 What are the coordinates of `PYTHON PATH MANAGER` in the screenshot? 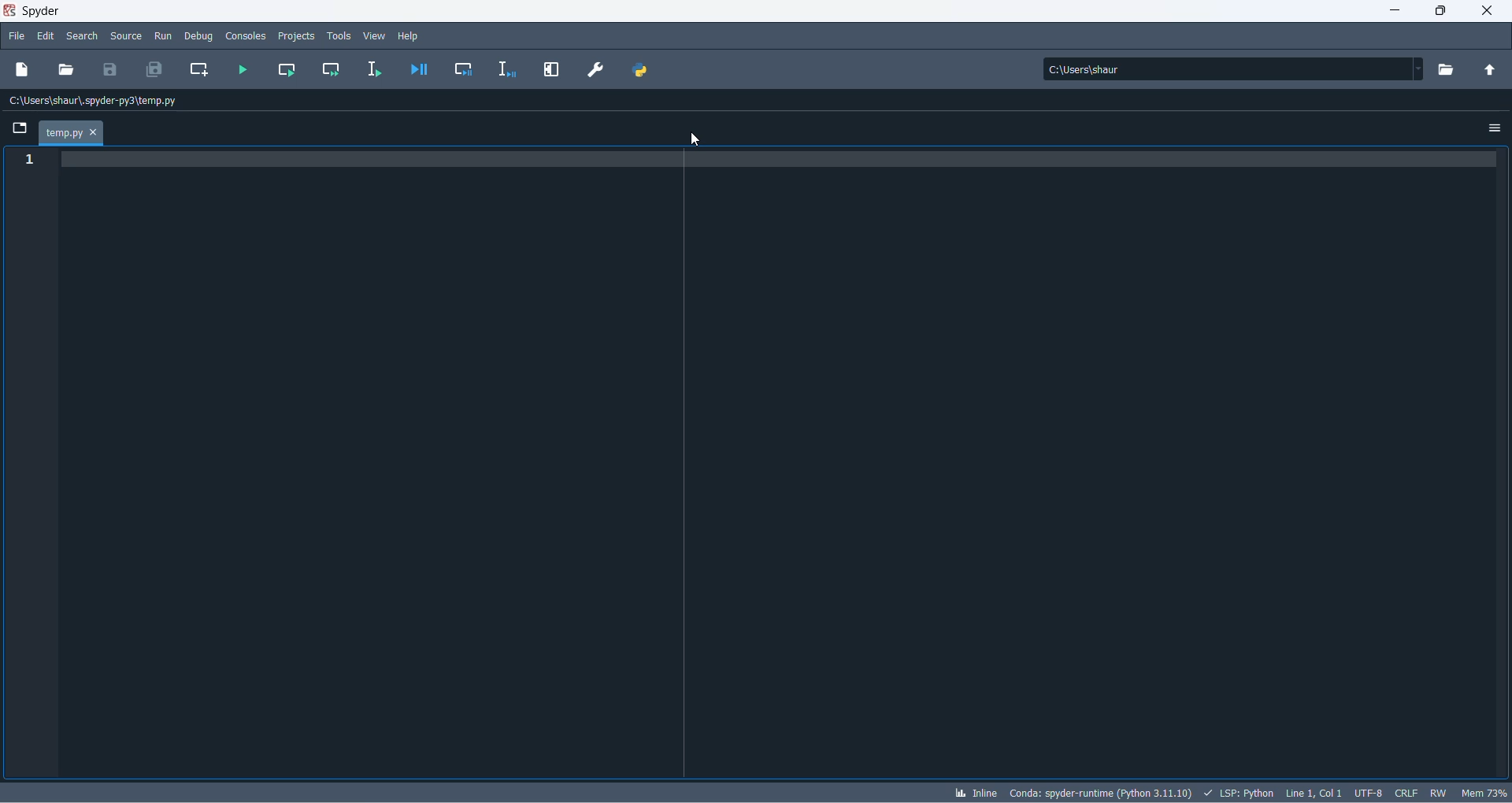 It's located at (639, 70).